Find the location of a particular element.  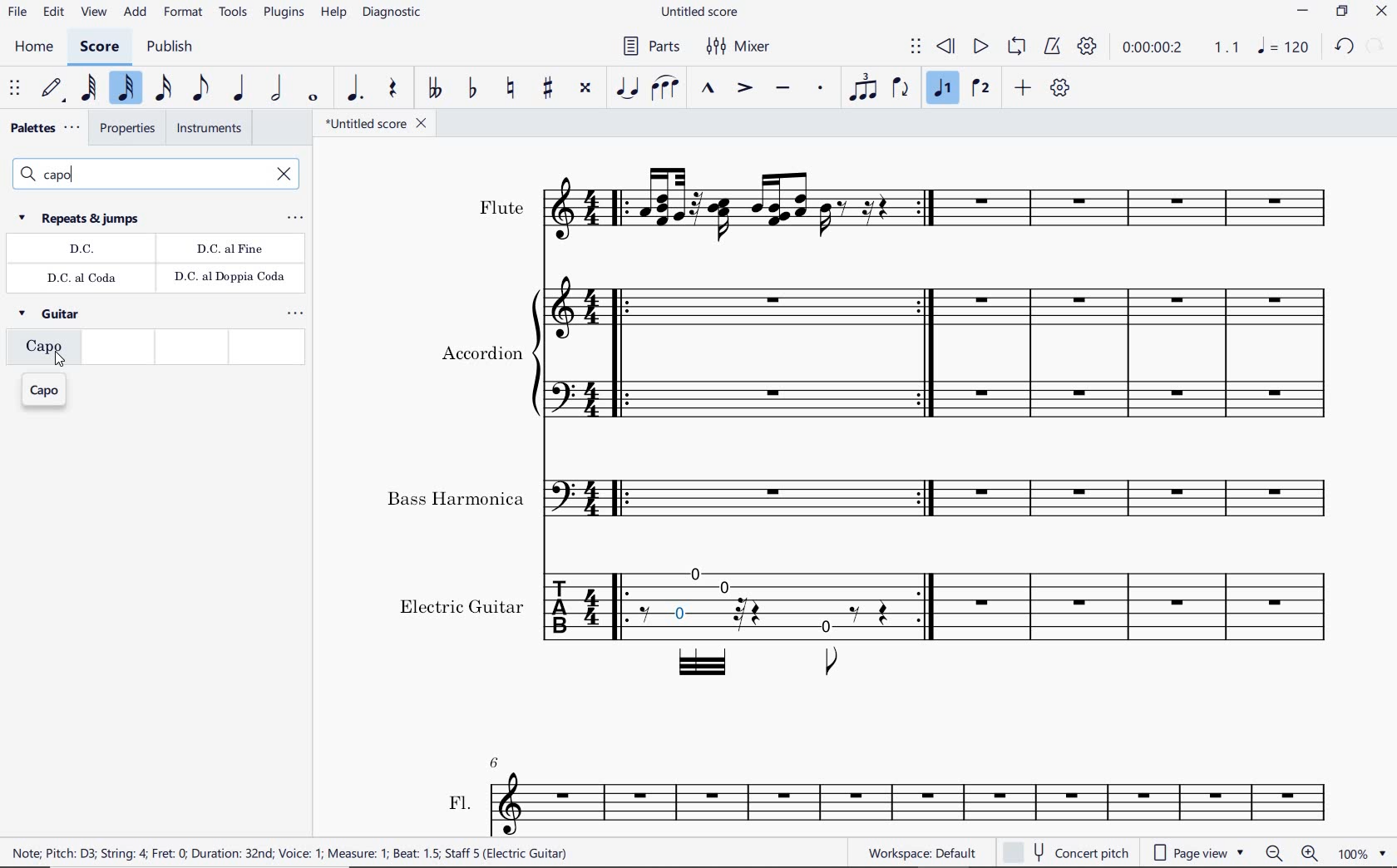

cursor is located at coordinates (61, 361).